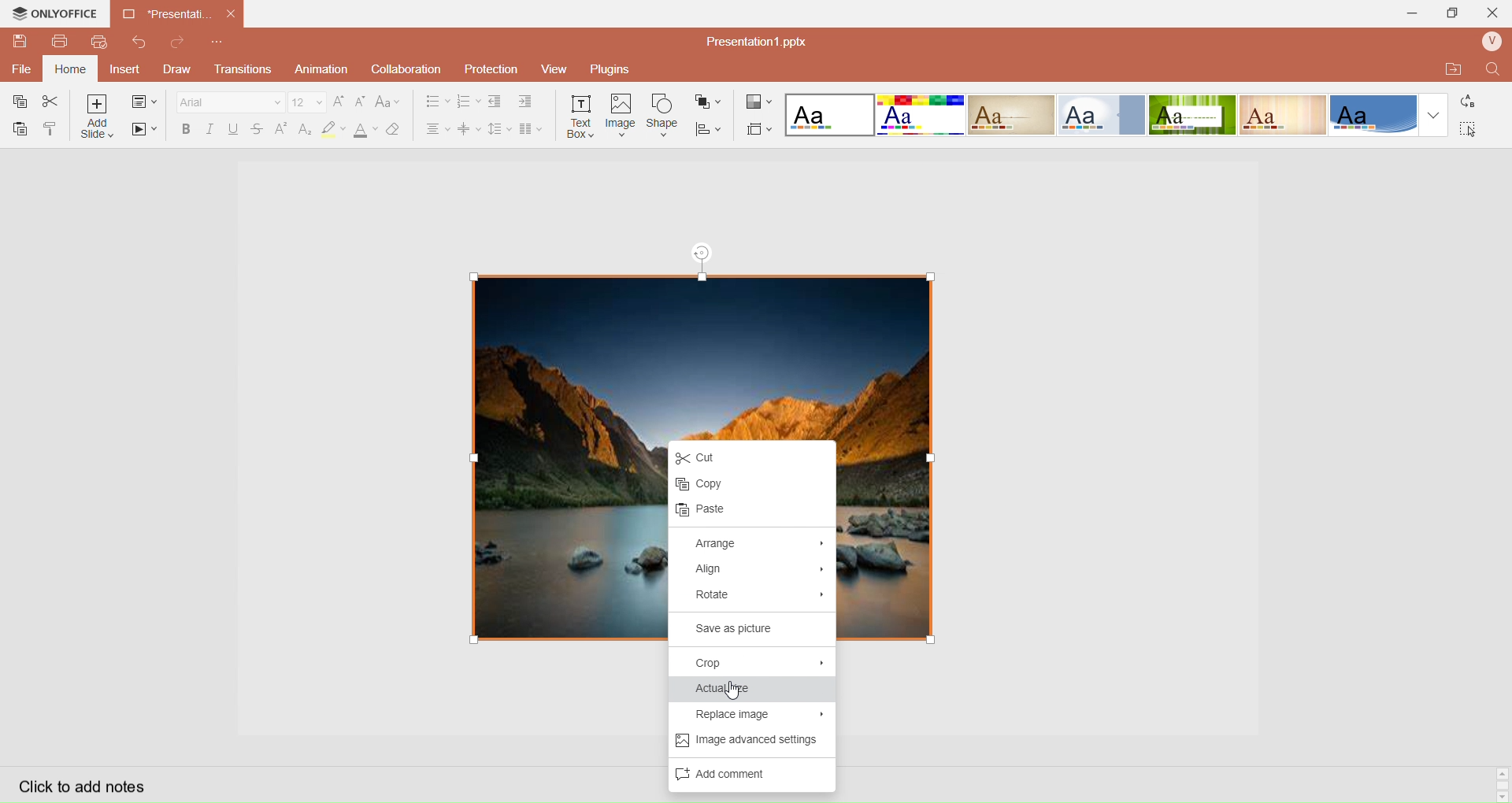 The height and width of the screenshot is (803, 1512). What do you see at coordinates (1417, 12) in the screenshot?
I see `Minimize` at bounding box center [1417, 12].